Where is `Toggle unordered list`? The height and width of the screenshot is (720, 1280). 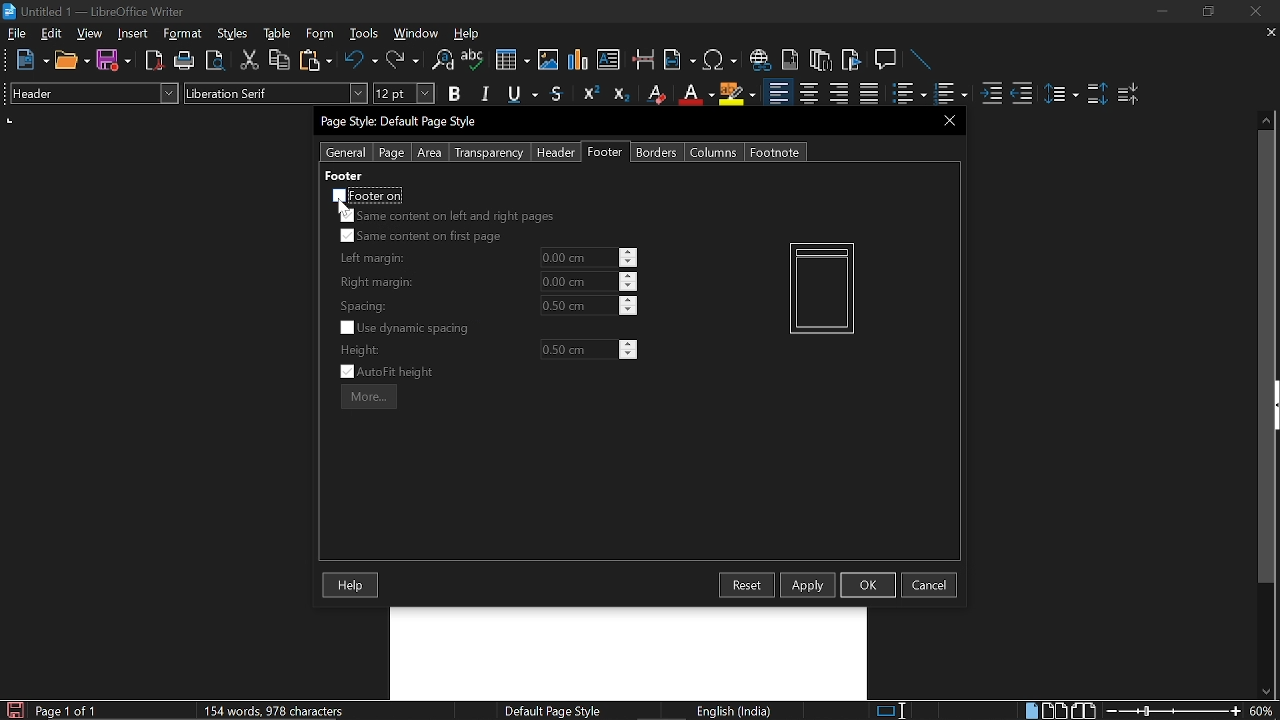 Toggle unordered list is located at coordinates (949, 94).